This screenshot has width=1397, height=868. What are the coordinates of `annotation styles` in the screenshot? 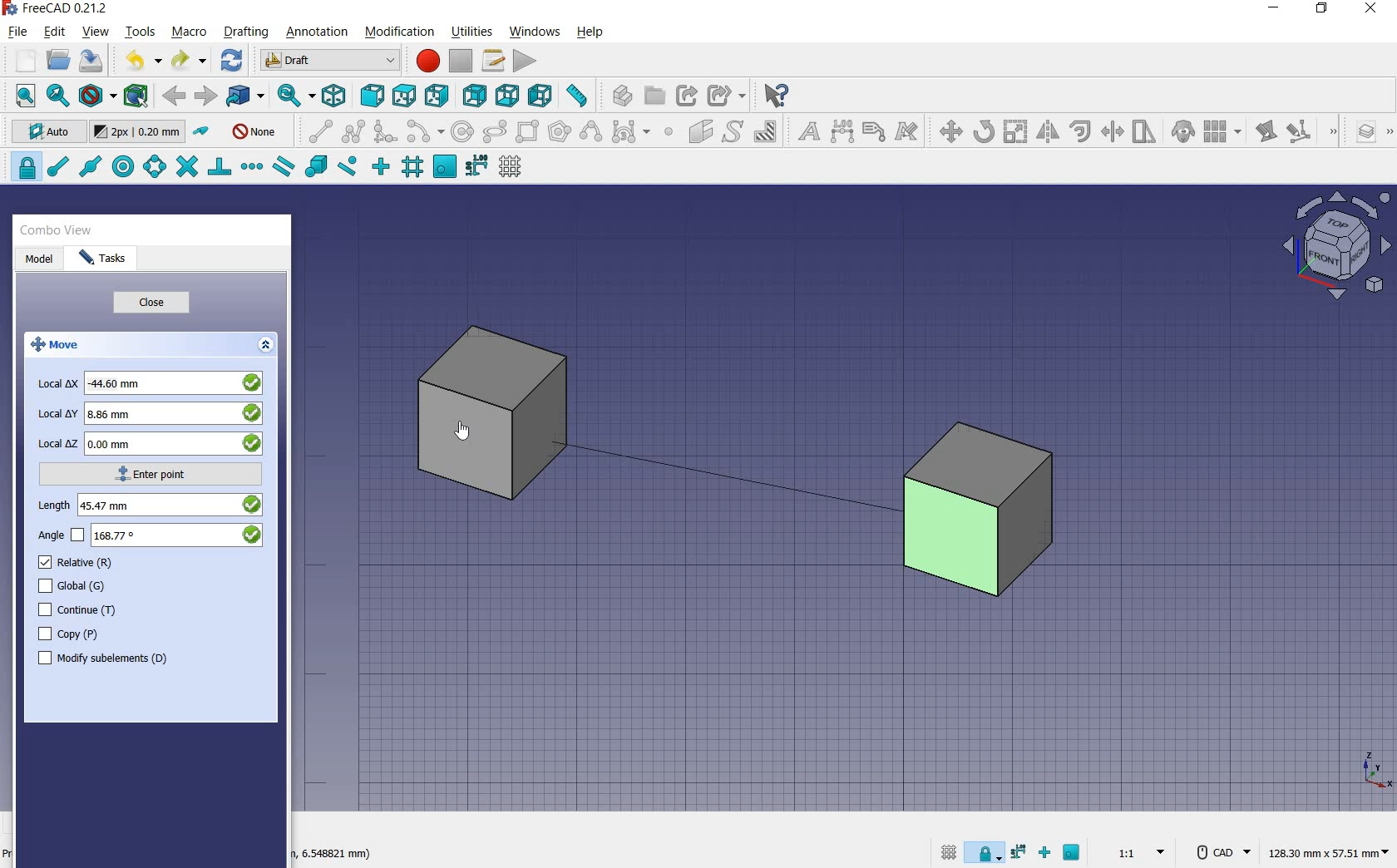 It's located at (908, 133).